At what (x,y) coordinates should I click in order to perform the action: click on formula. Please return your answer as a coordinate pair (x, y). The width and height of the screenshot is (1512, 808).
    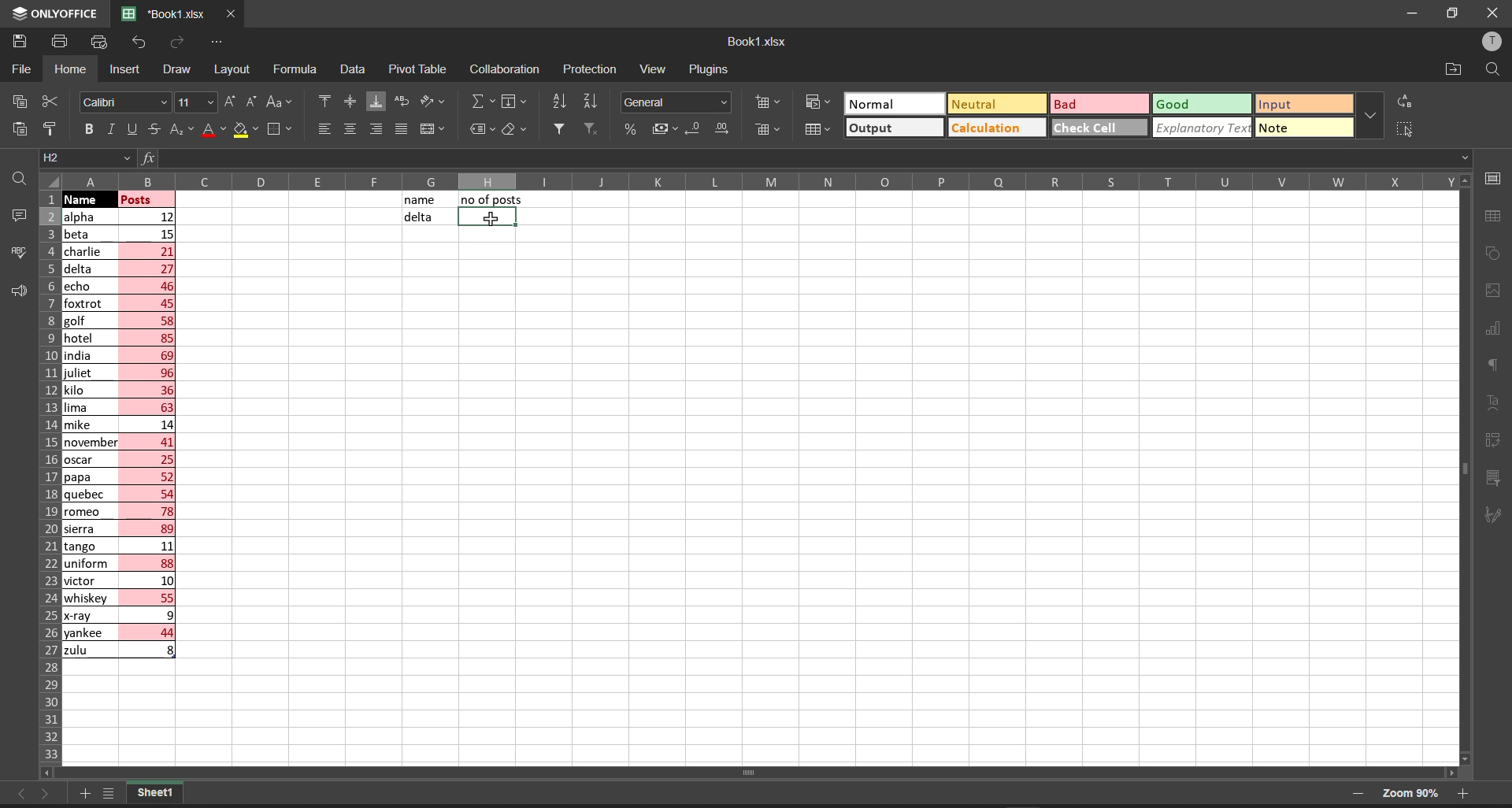
    Looking at the image, I should click on (146, 158).